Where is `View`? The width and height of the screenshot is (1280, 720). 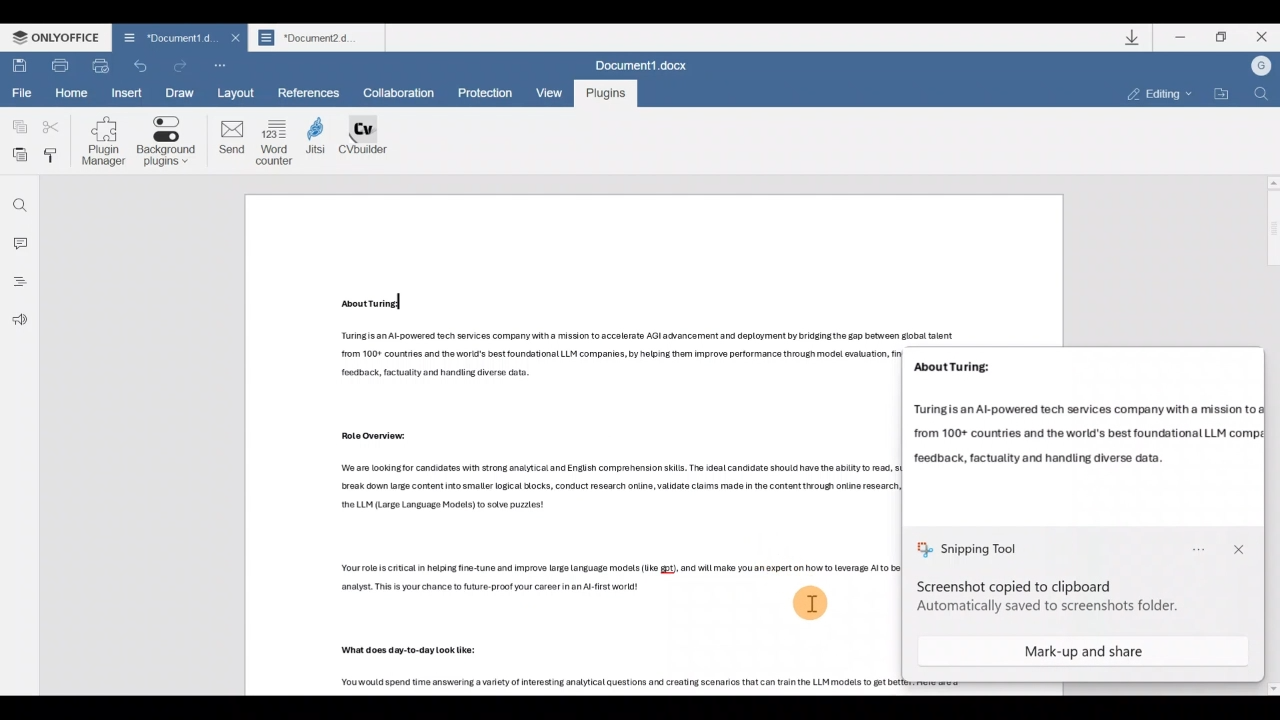 View is located at coordinates (554, 89).